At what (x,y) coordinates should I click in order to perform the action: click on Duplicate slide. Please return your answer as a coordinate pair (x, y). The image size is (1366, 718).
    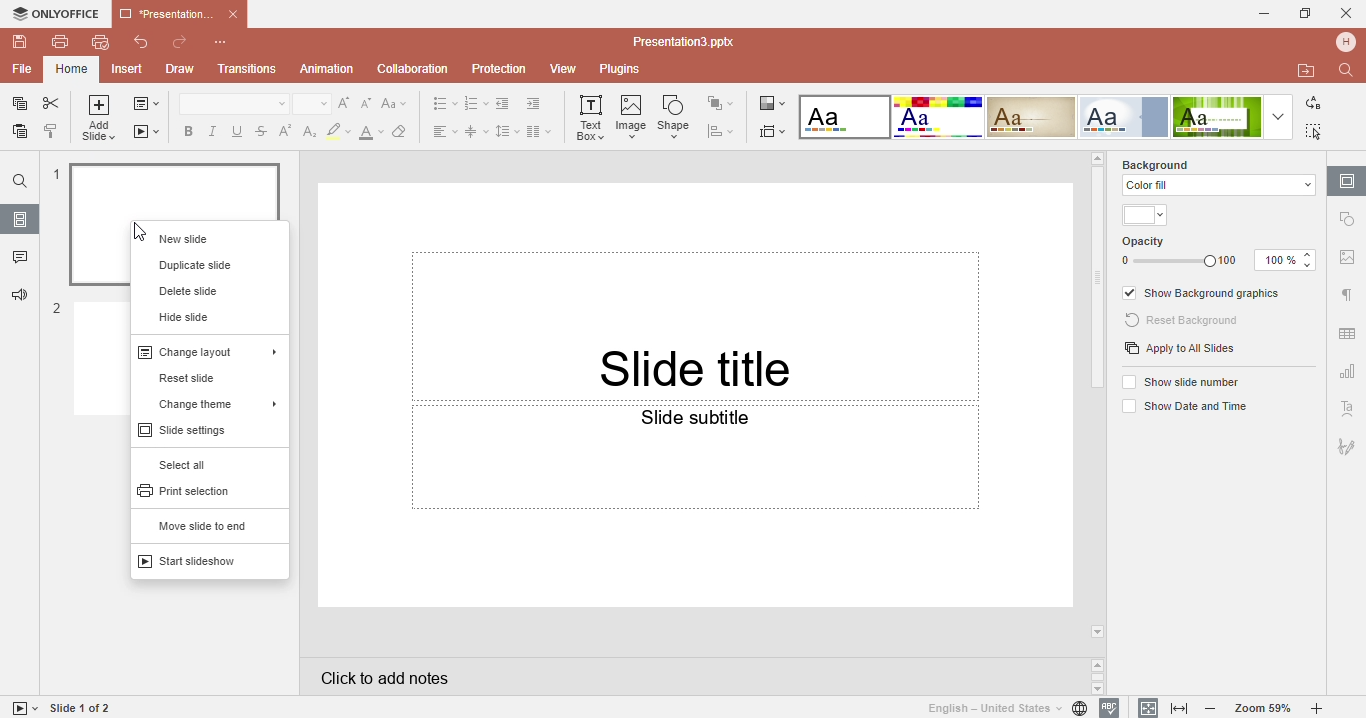
    Looking at the image, I should click on (198, 265).